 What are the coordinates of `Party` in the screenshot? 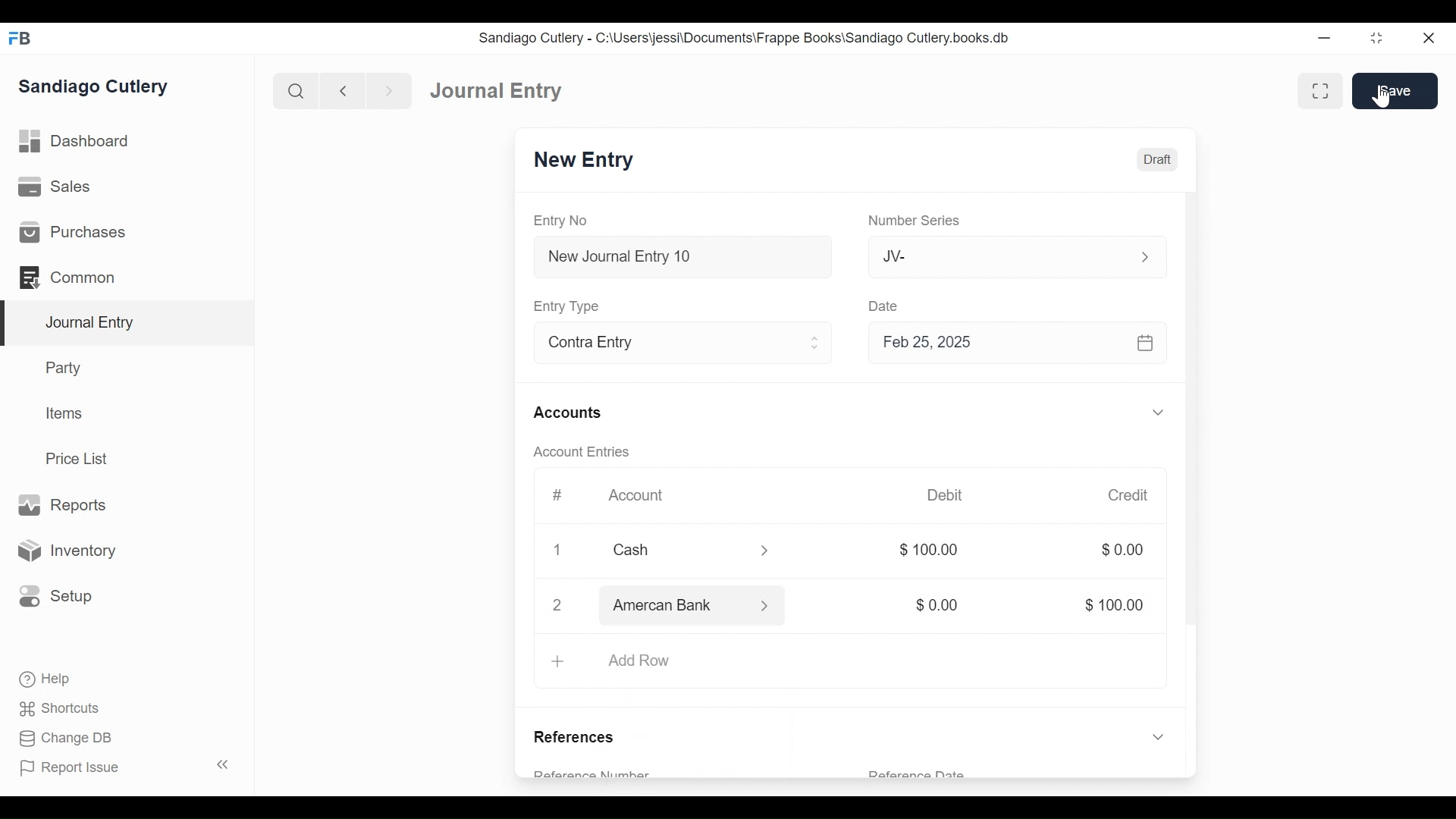 It's located at (61, 368).